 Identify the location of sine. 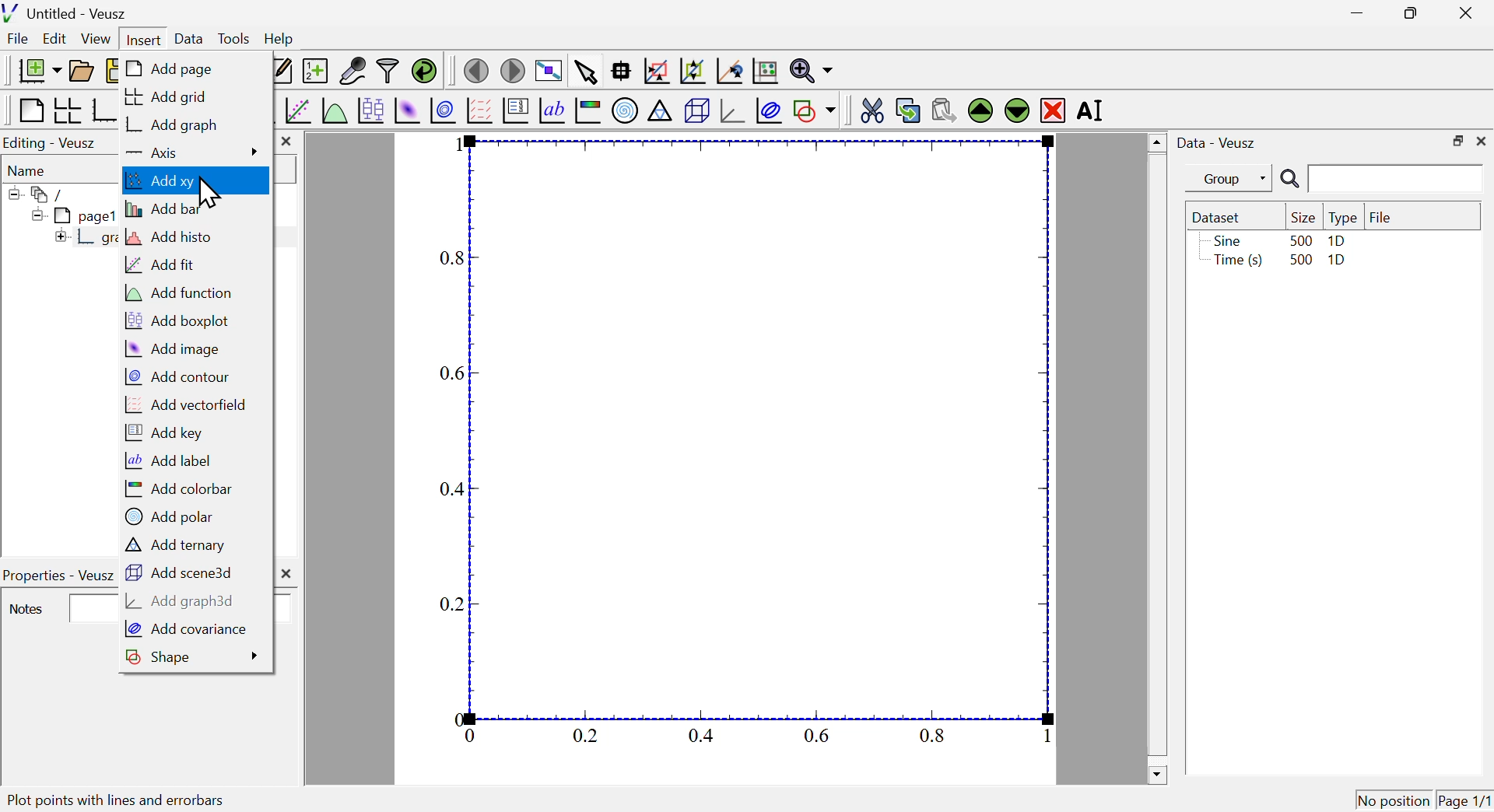
(1226, 240).